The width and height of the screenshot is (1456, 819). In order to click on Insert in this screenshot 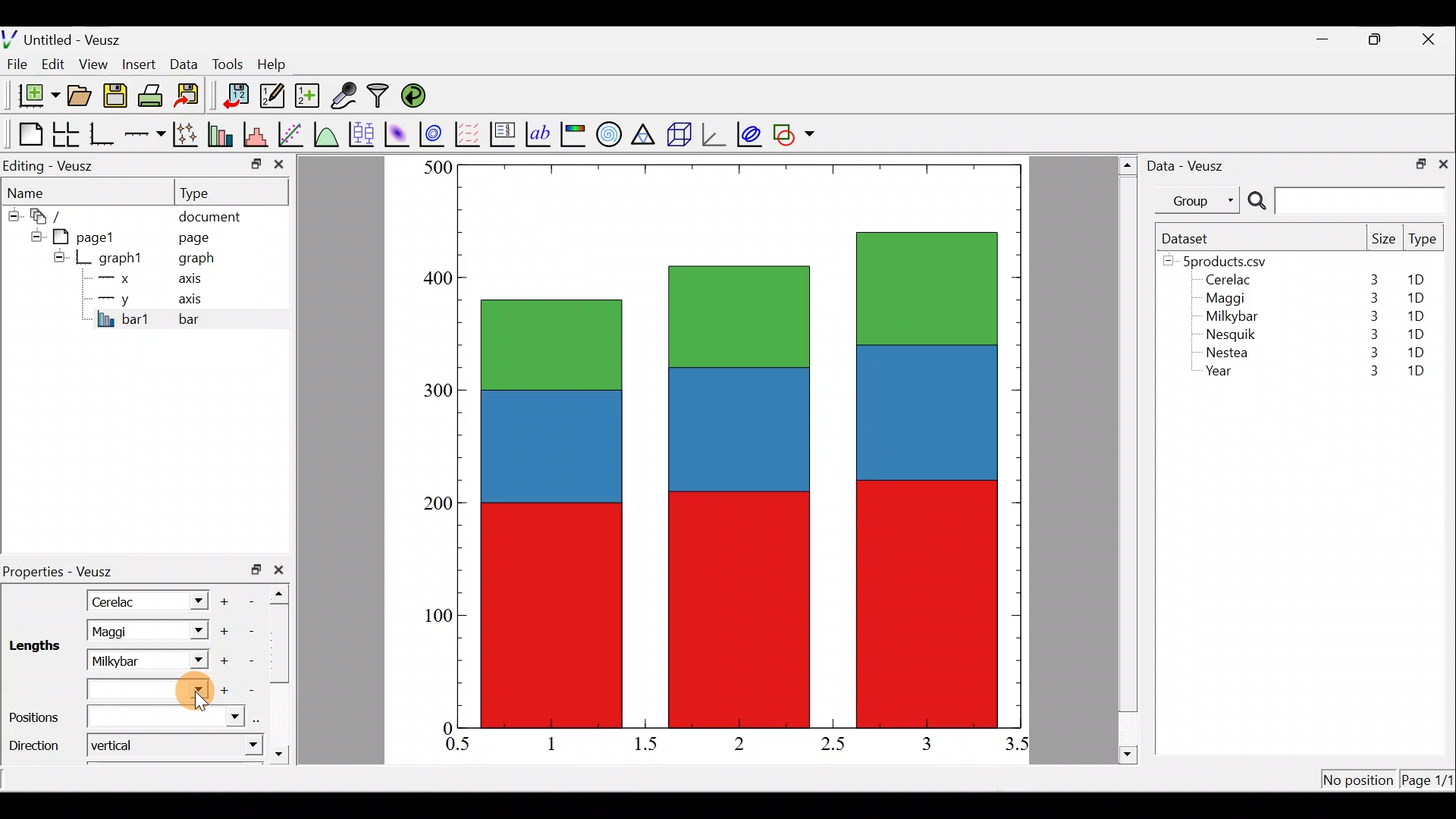, I will do `click(141, 64)`.